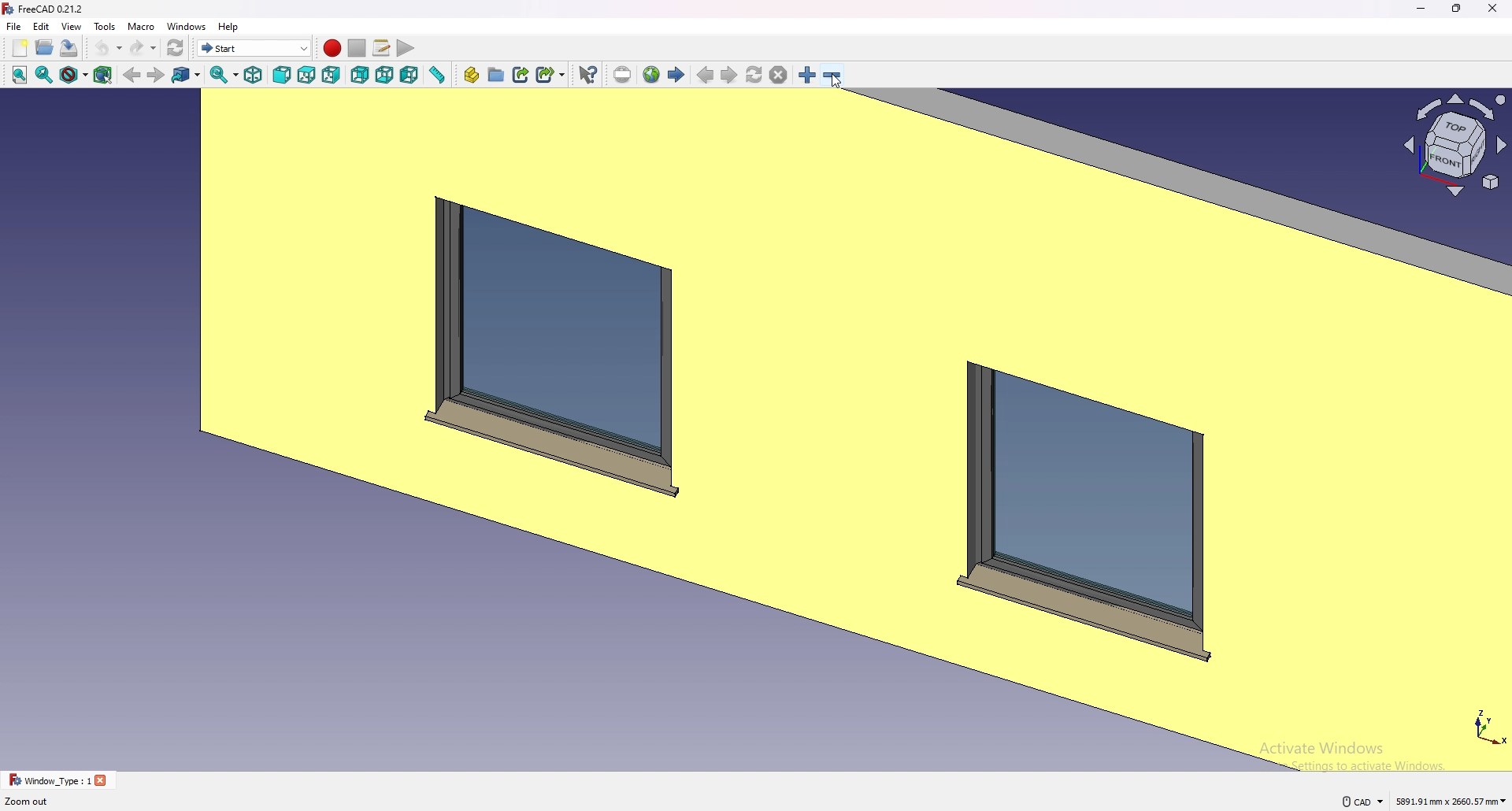  I want to click on freeCAD, so click(42, 9).